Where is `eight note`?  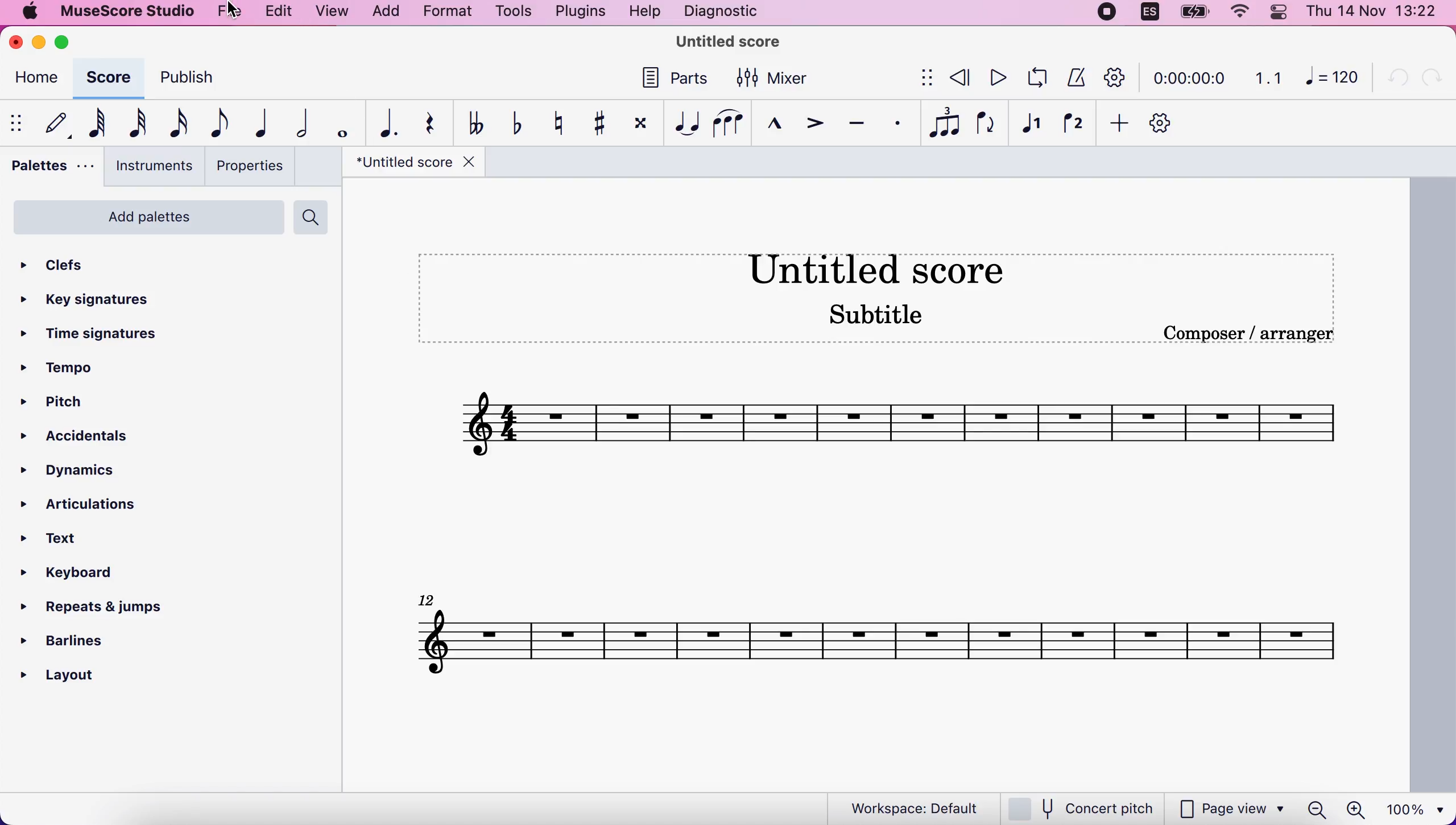
eight note is located at coordinates (217, 124).